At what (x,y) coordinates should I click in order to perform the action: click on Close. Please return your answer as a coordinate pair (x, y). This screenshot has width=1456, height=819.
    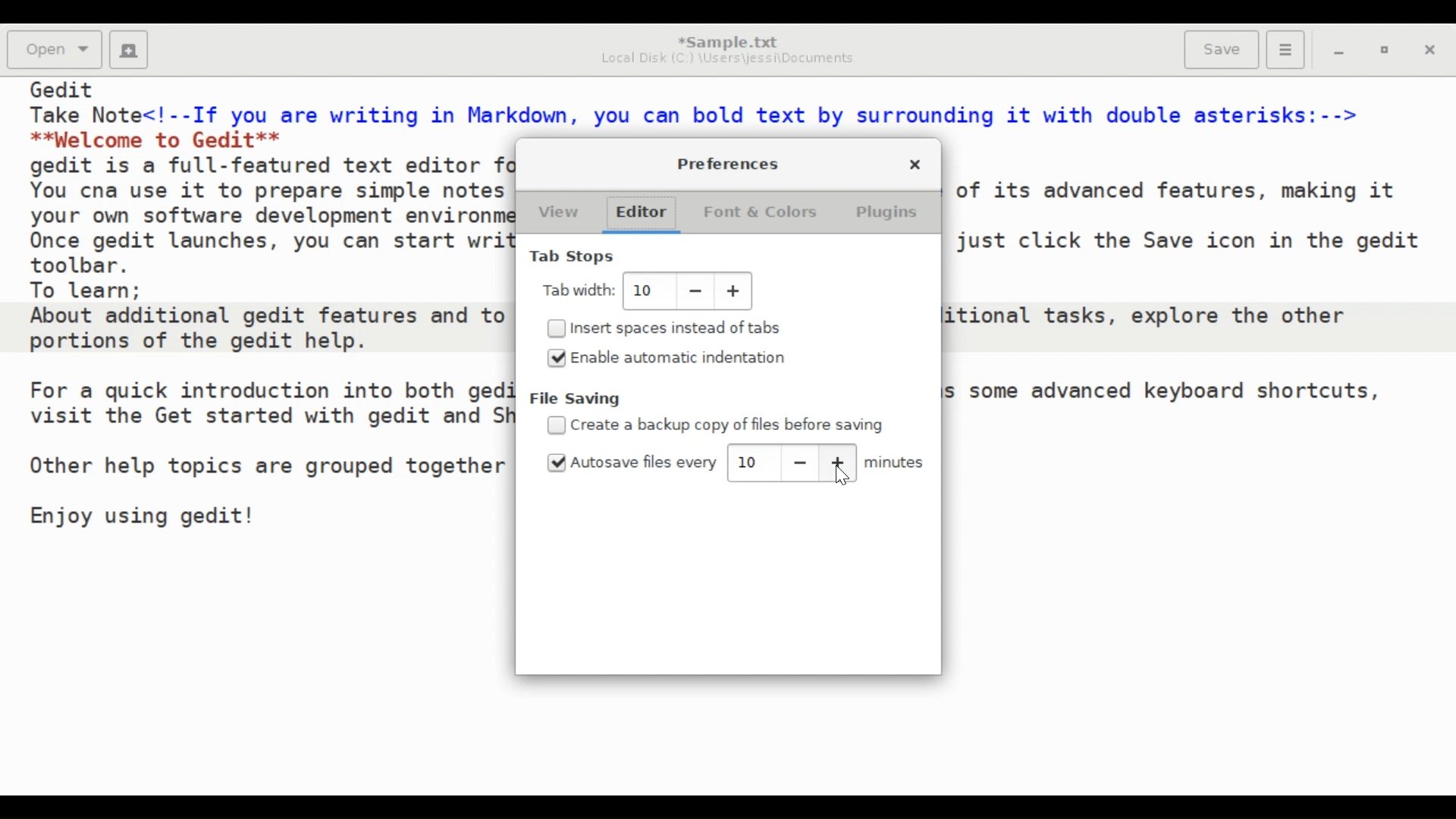
    Looking at the image, I should click on (1432, 52).